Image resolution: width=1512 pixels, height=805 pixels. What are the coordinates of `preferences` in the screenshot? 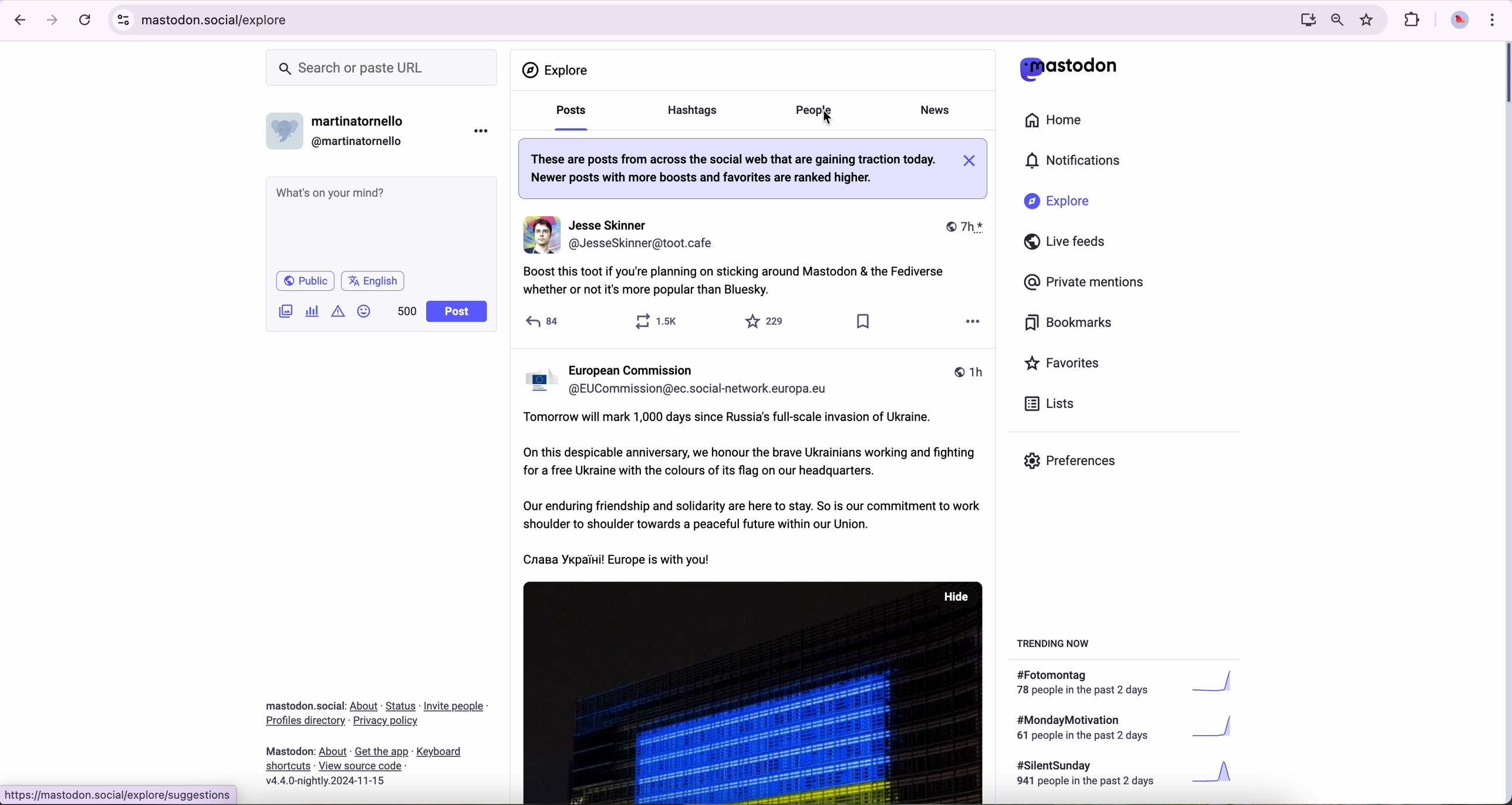 It's located at (1079, 465).